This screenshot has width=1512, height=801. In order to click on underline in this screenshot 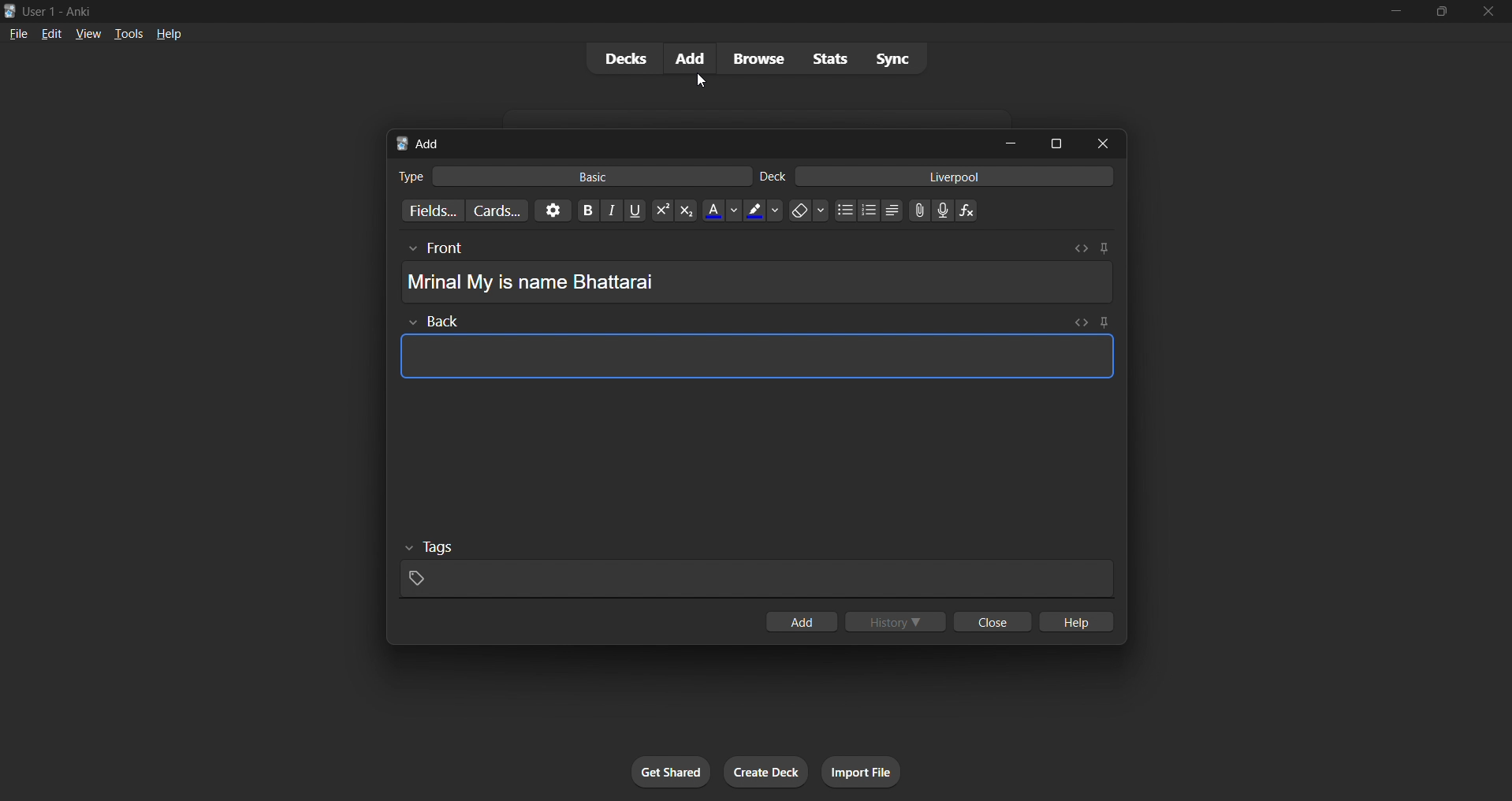, I will do `click(630, 210)`.